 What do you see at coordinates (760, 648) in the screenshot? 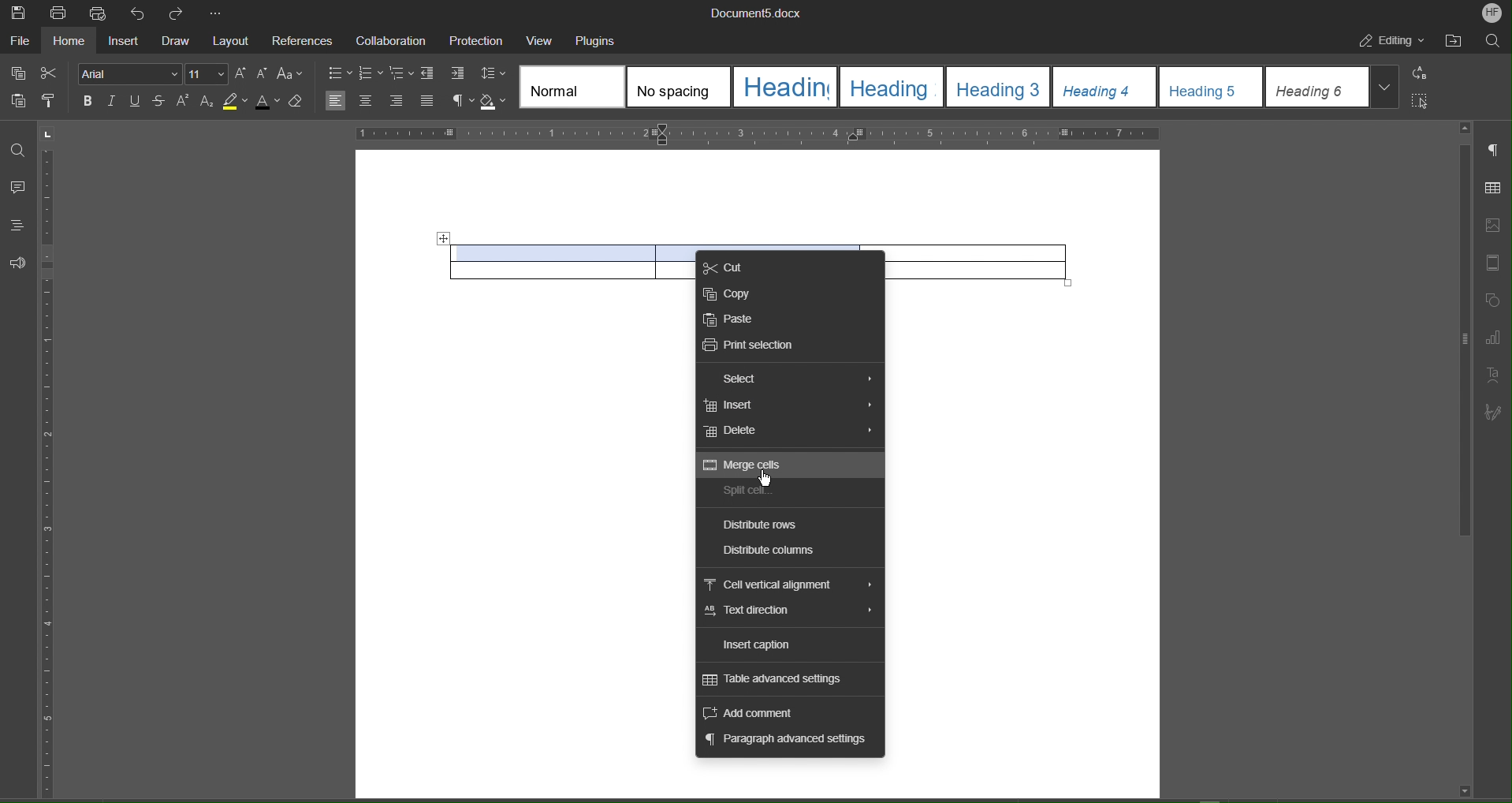
I see `Insert caption` at bounding box center [760, 648].